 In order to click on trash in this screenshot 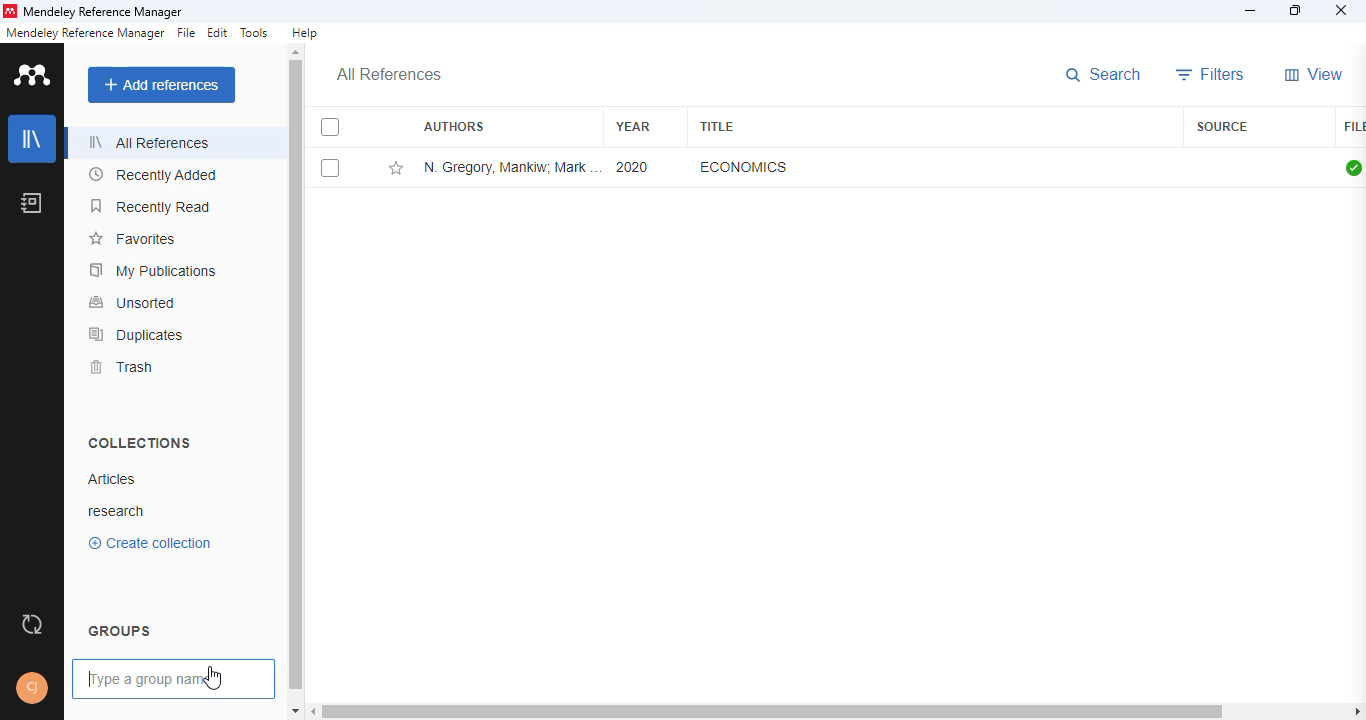, I will do `click(124, 367)`.